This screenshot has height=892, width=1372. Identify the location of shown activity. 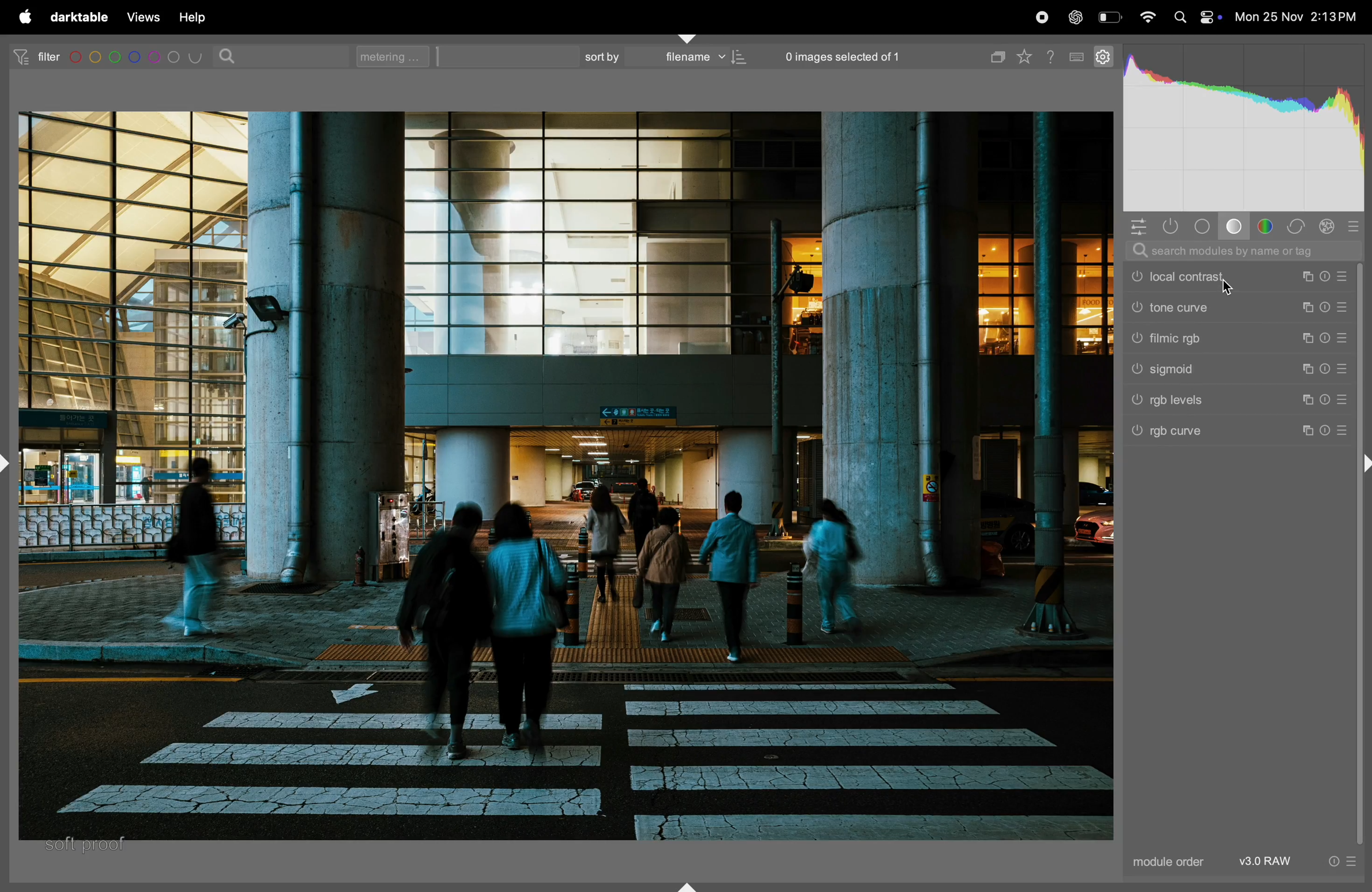
(1174, 227).